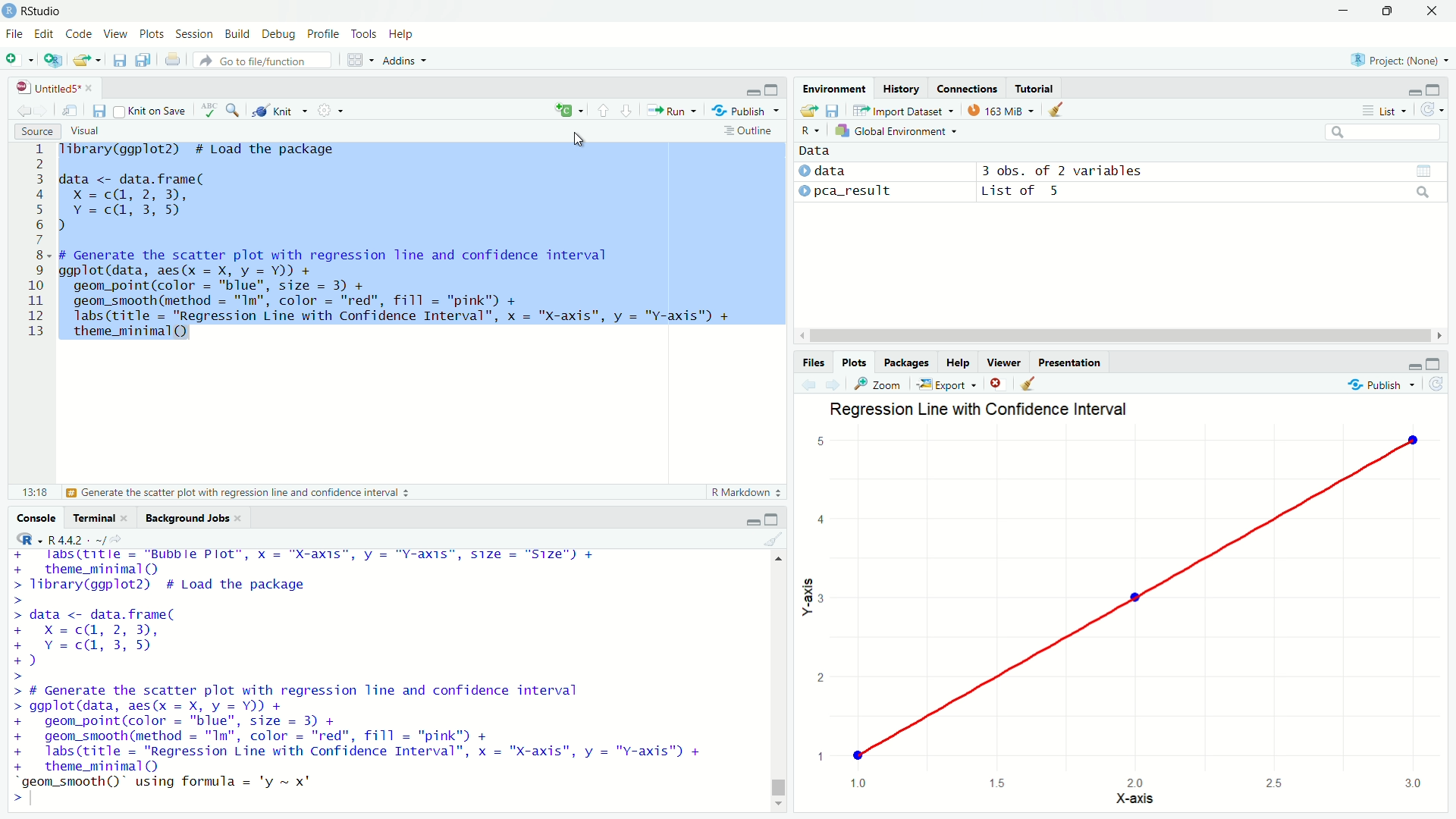 The height and width of the screenshot is (819, 1456). Describe the element at coordinates (833, 171) in the screenshot. I see `data` at that location.